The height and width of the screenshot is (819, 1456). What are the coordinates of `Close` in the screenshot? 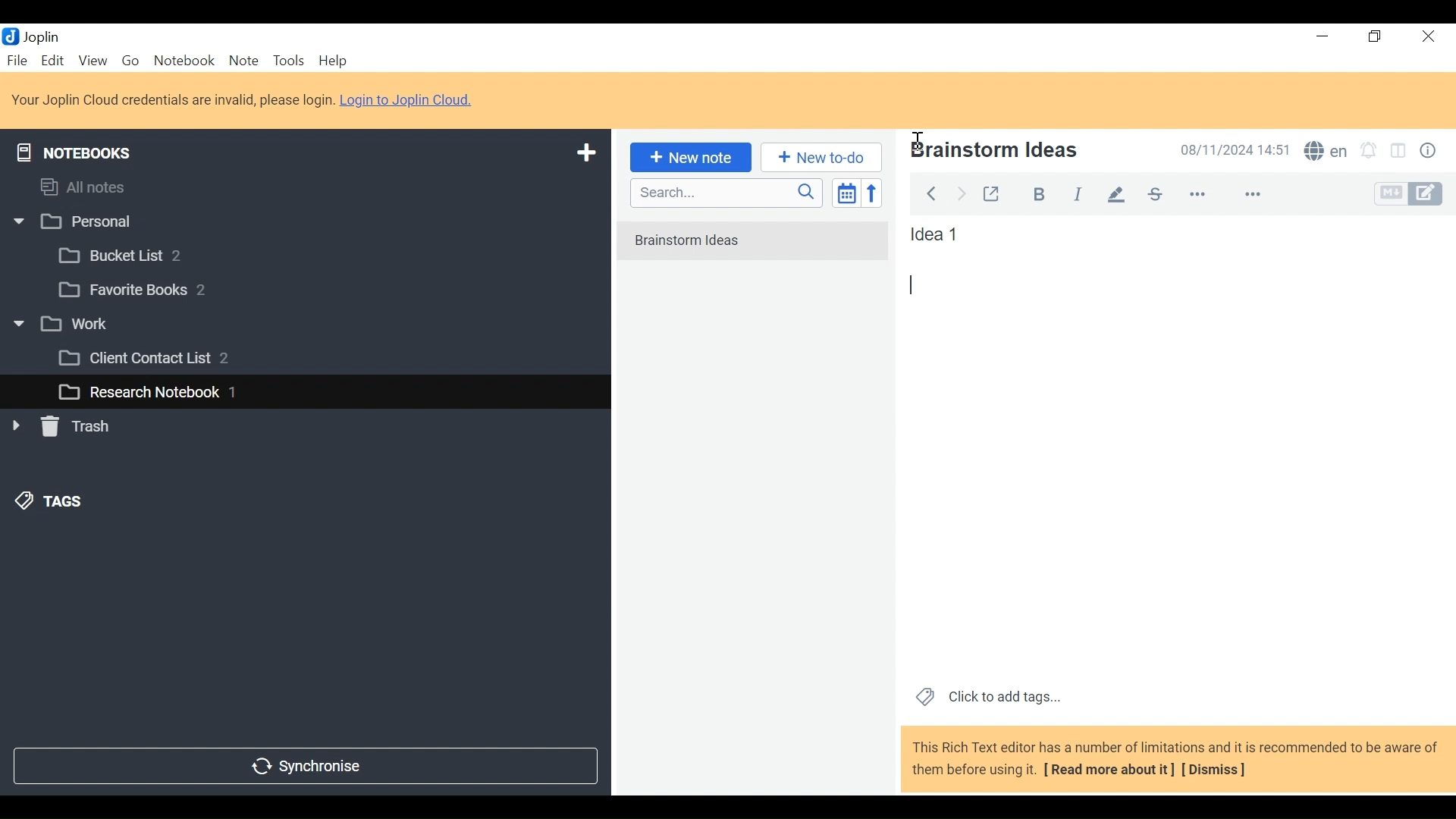 It's located at (1426, 37).